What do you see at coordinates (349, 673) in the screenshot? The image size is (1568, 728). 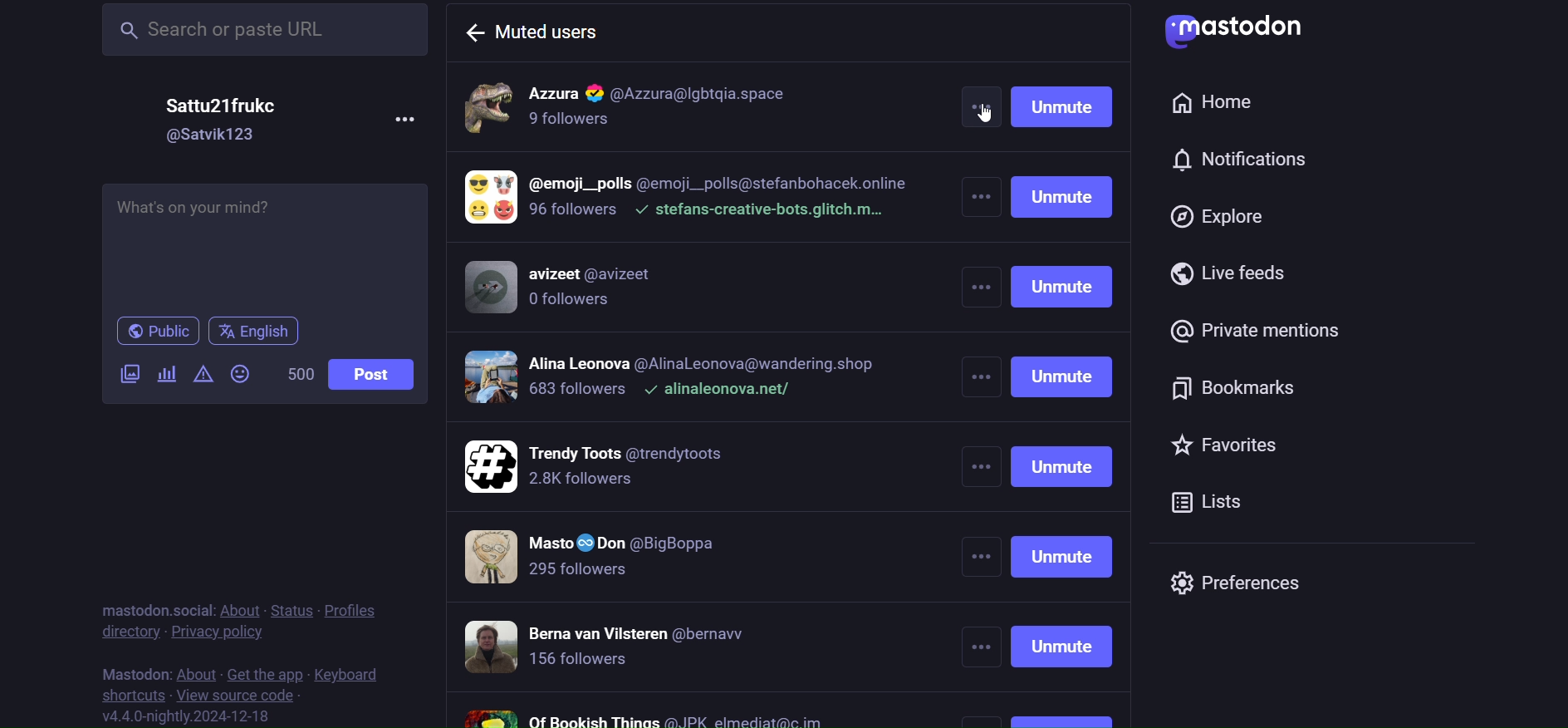 I see `keyboard` at bounding box center [349, 673].